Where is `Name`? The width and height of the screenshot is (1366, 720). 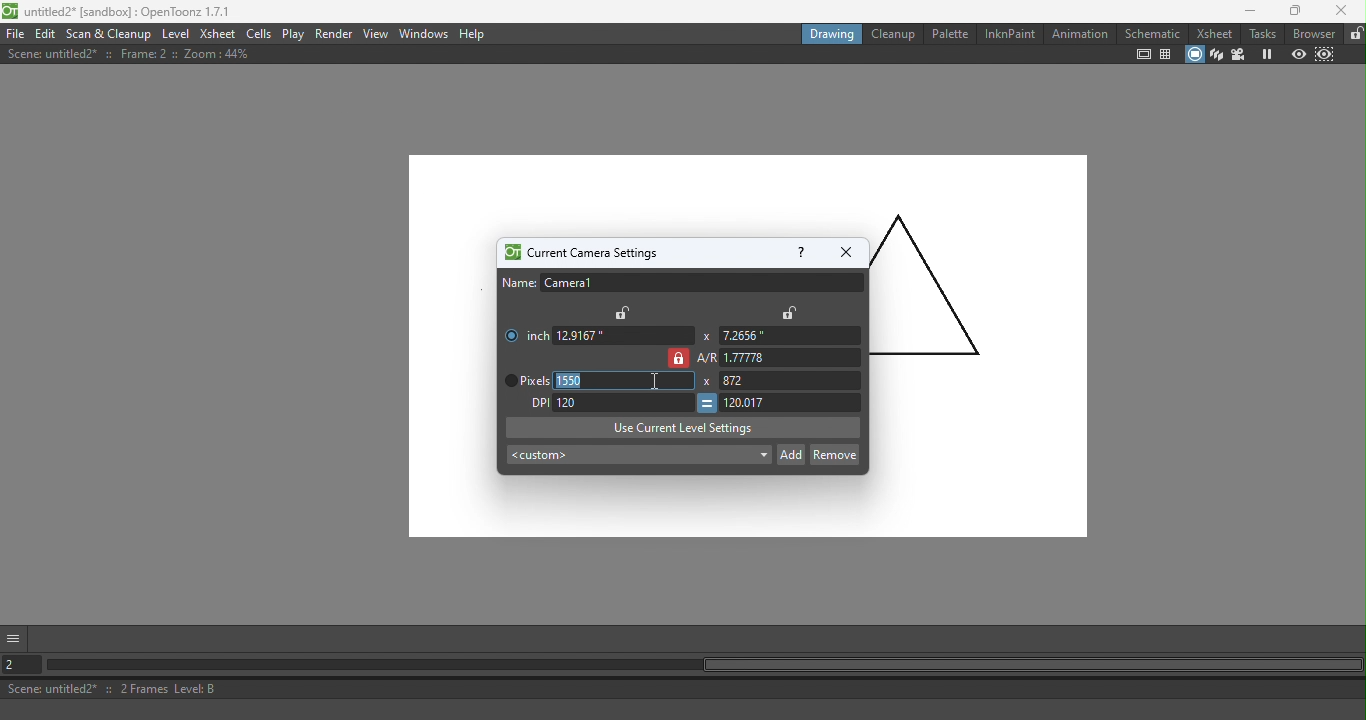 Name is located at coordinates (682, 283).